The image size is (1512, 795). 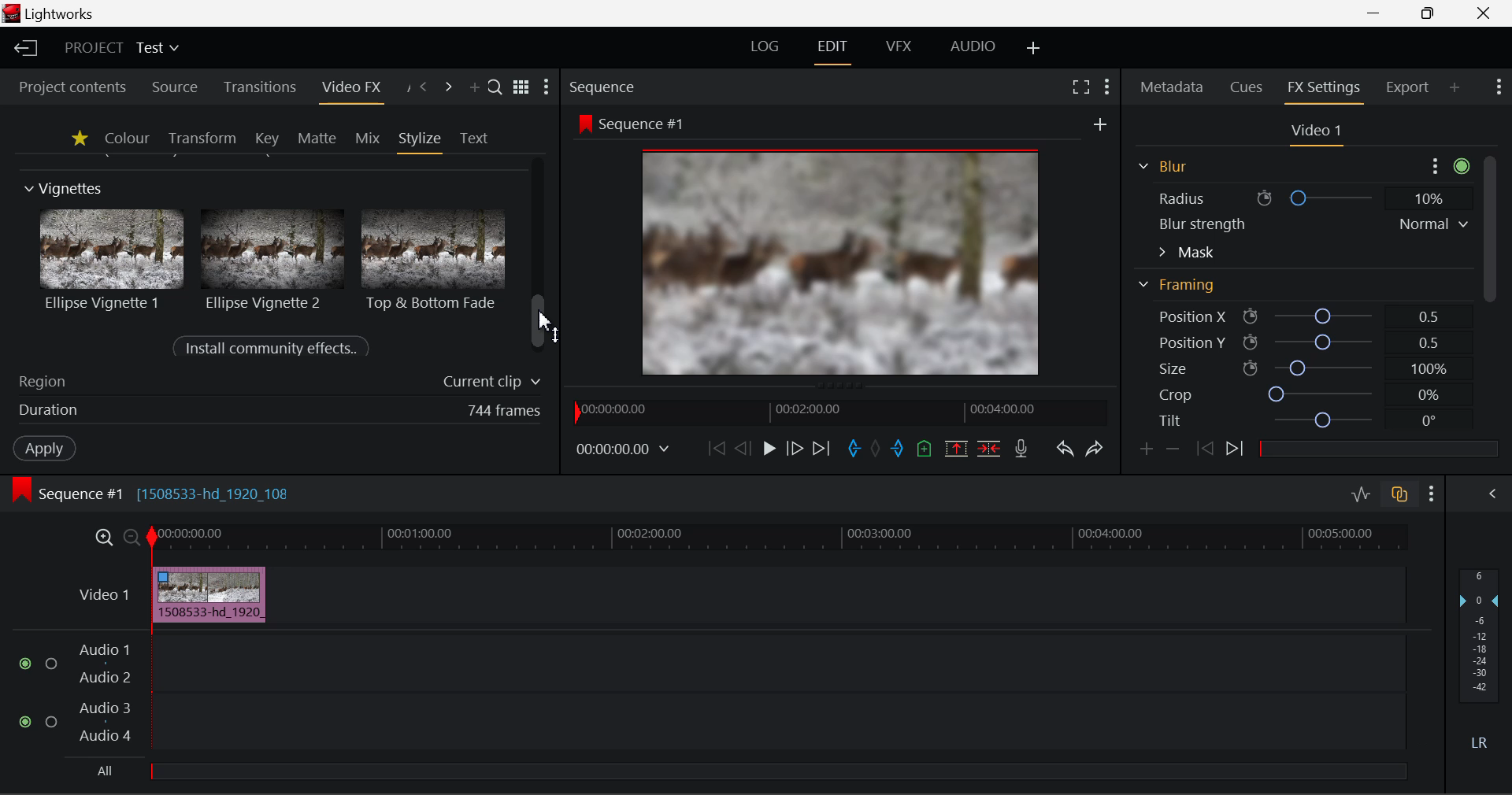 What do you see at coordinates (1300, 196) in the screenshot?
I see `Radius ® O 10%` at bounding box center [1300, 196].